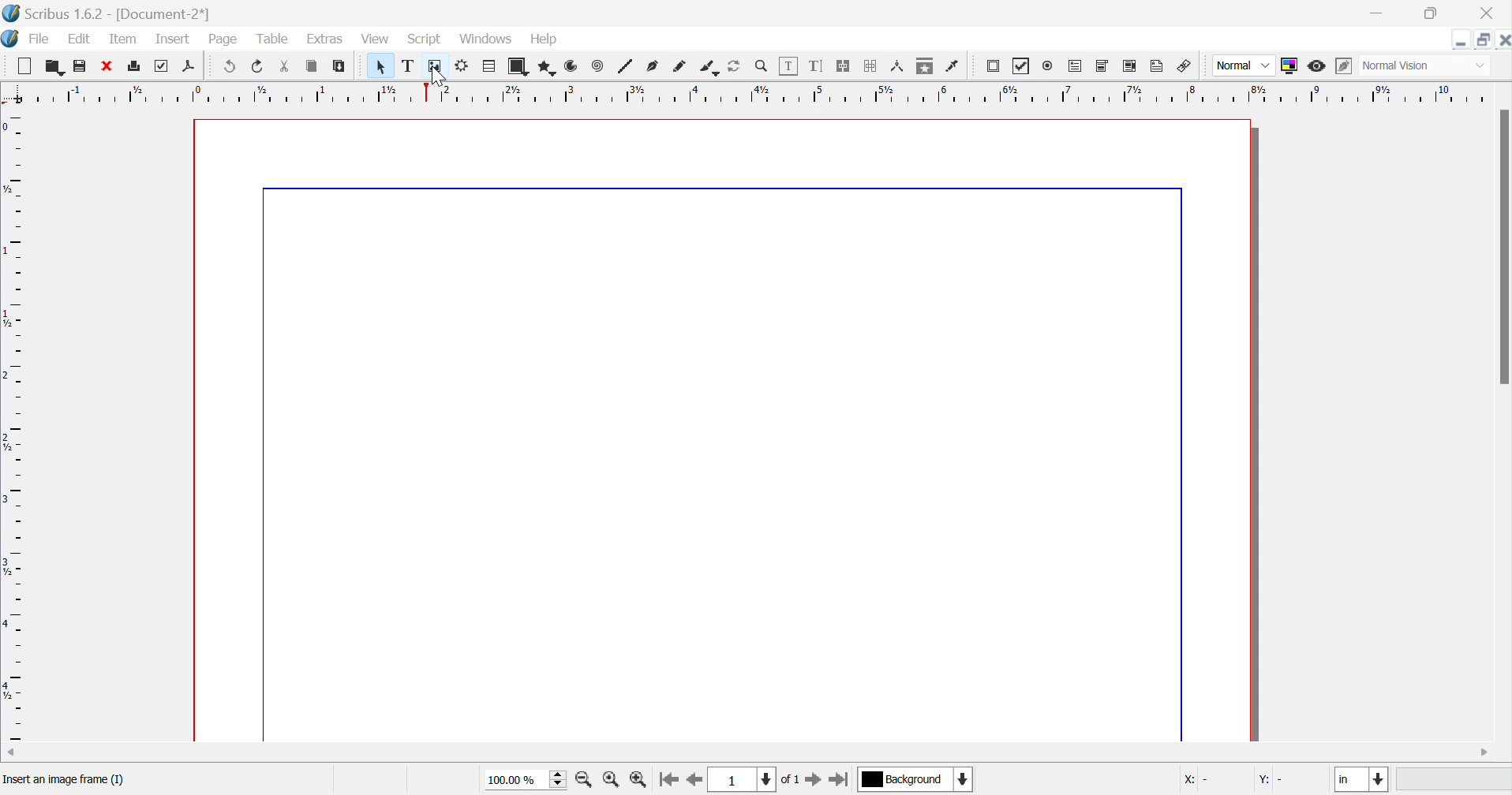 This screenshot has width=1512, height=795. What do you see at coordinates (545, 66) in the screenshot?
I see `polygon` at bounding box center [545, 66].